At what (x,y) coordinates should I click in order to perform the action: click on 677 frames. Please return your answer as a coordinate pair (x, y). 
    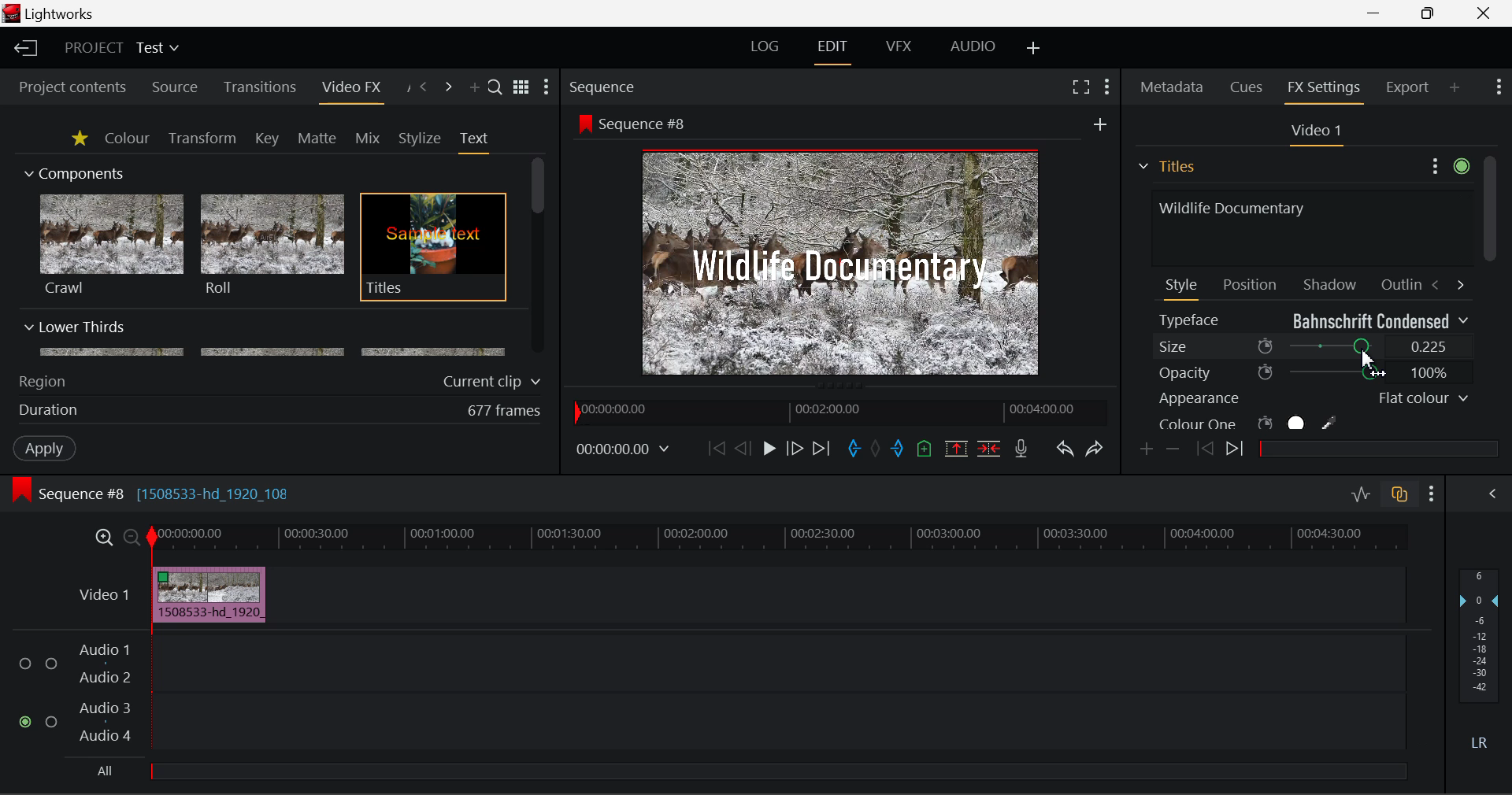
    Looking at the image, I should click on (505, 412).